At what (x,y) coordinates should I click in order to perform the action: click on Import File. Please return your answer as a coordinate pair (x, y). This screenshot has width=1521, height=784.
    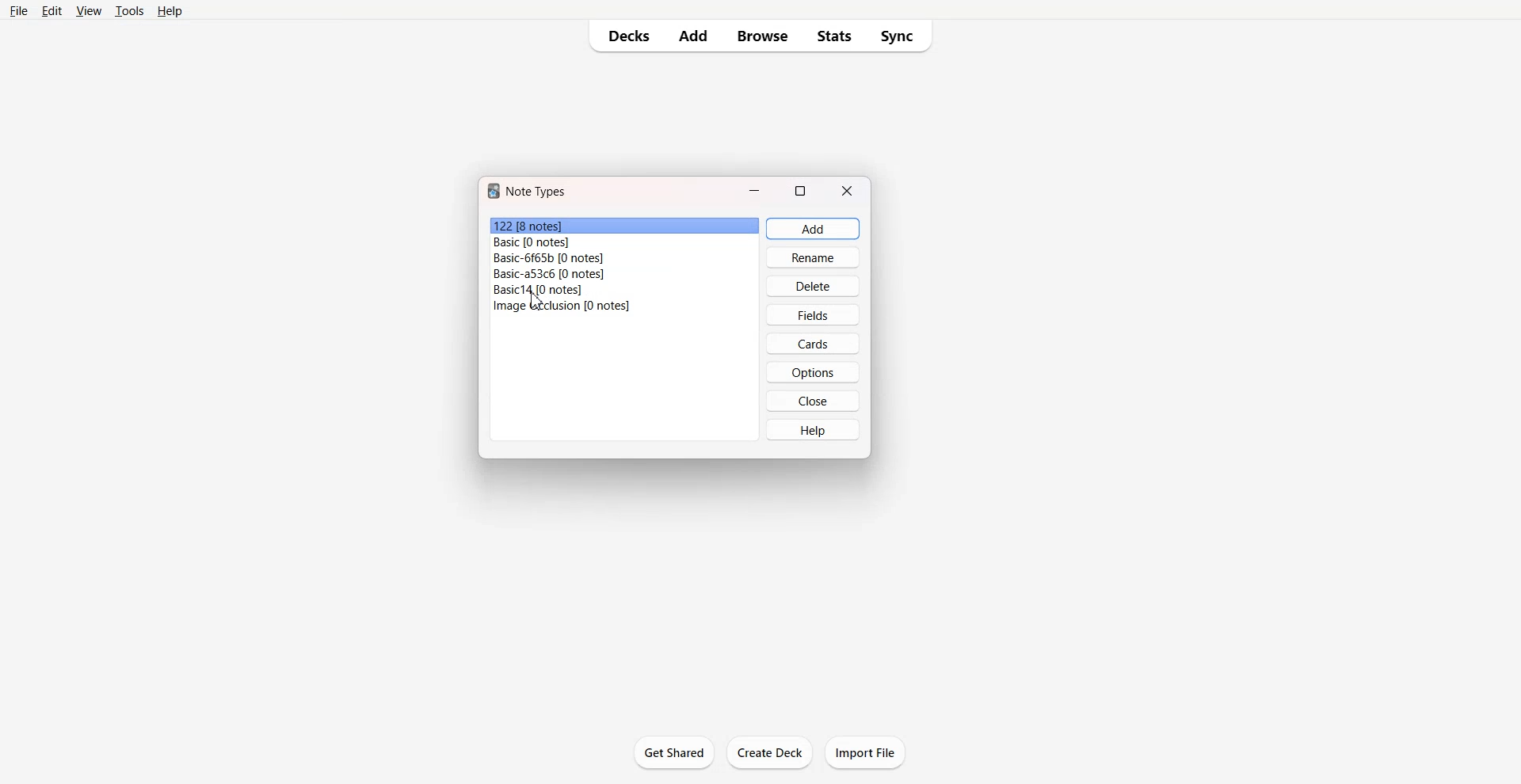
    Looking at the image, I should click on (865, 752).